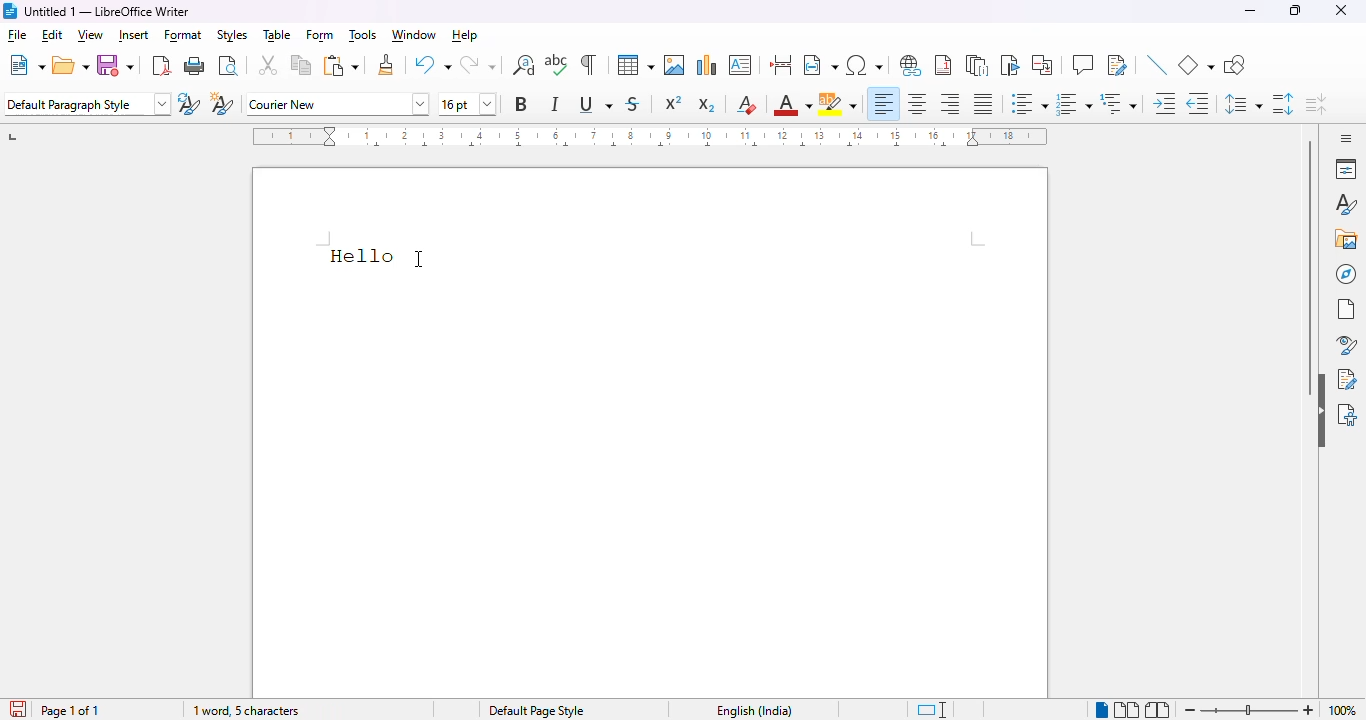 This screenshot has width=1366, height=720. I want to click on justified, so click(983, 104).